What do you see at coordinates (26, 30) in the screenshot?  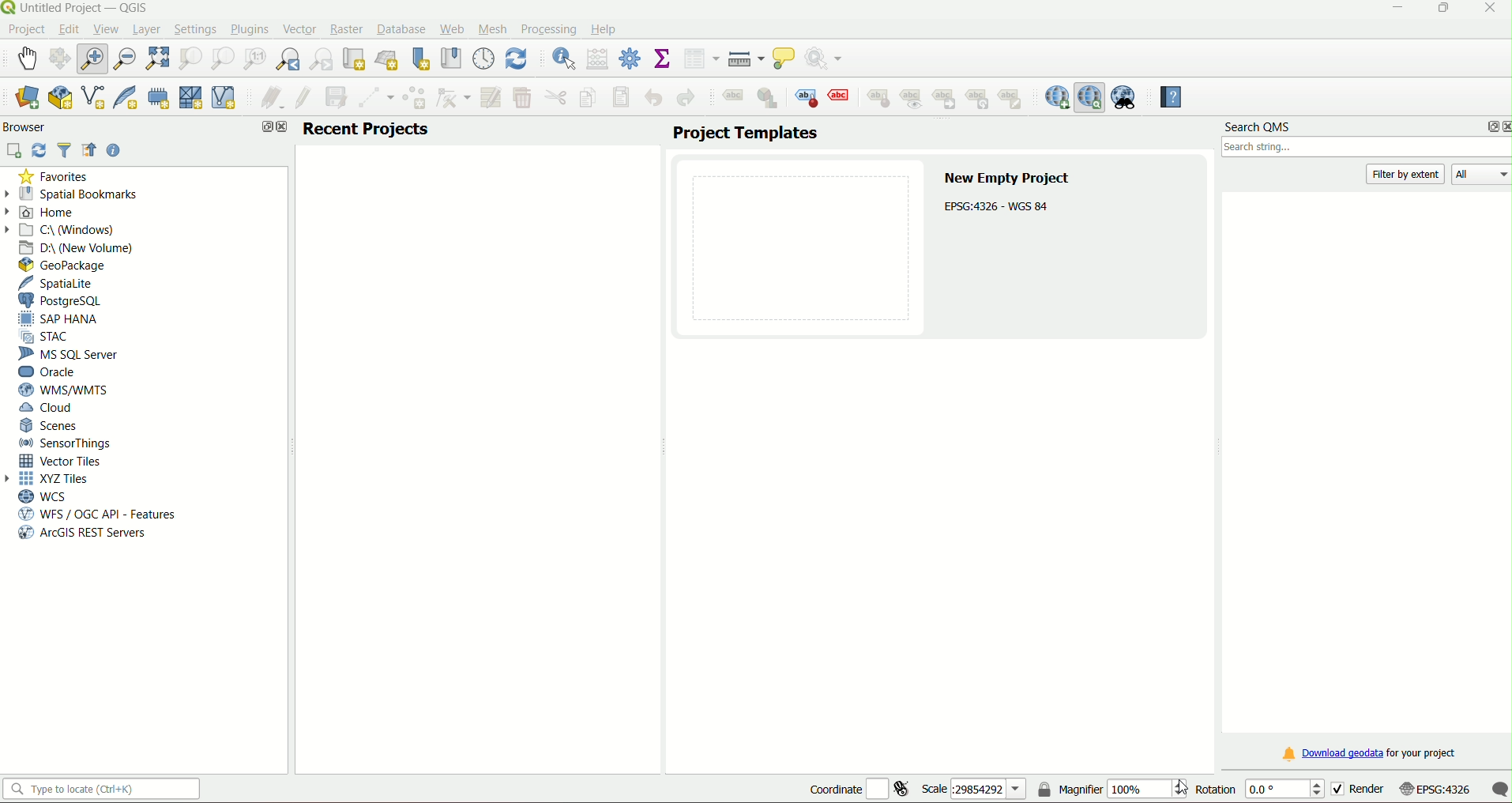 I see `Project` at bounding box center [26, 30].